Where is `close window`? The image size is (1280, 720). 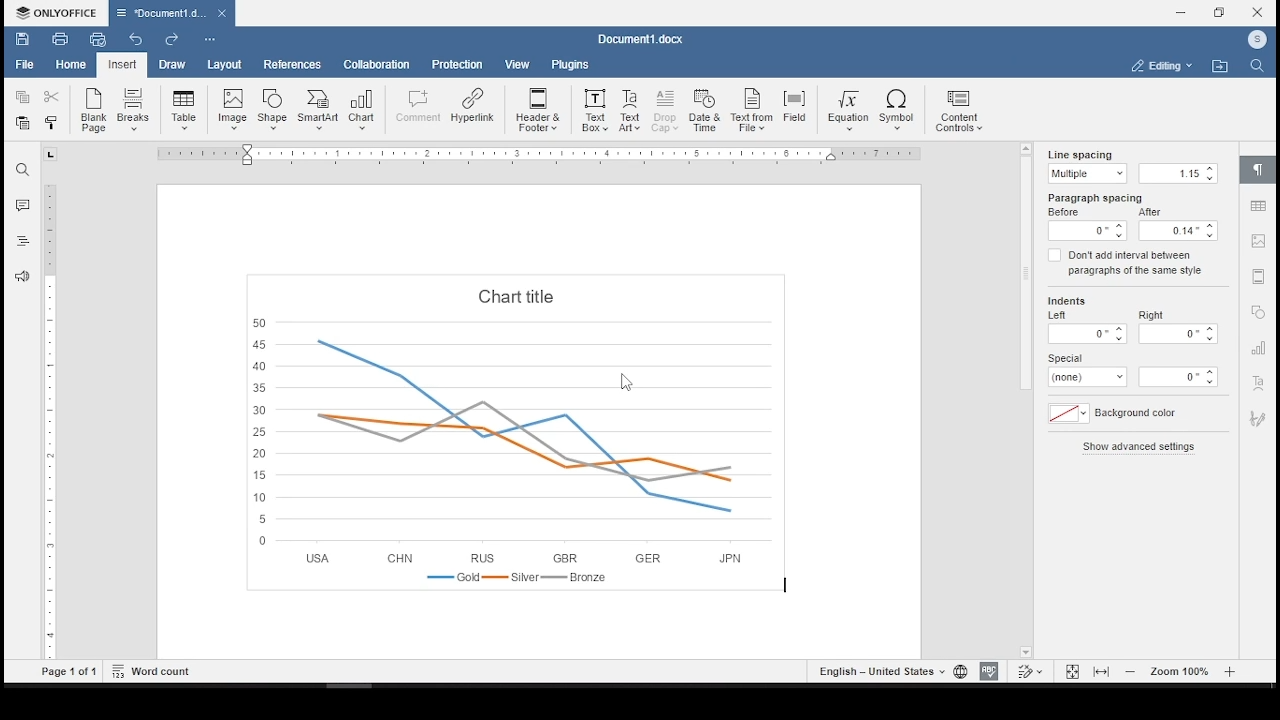
close window is located at coordinates (1258, 11).